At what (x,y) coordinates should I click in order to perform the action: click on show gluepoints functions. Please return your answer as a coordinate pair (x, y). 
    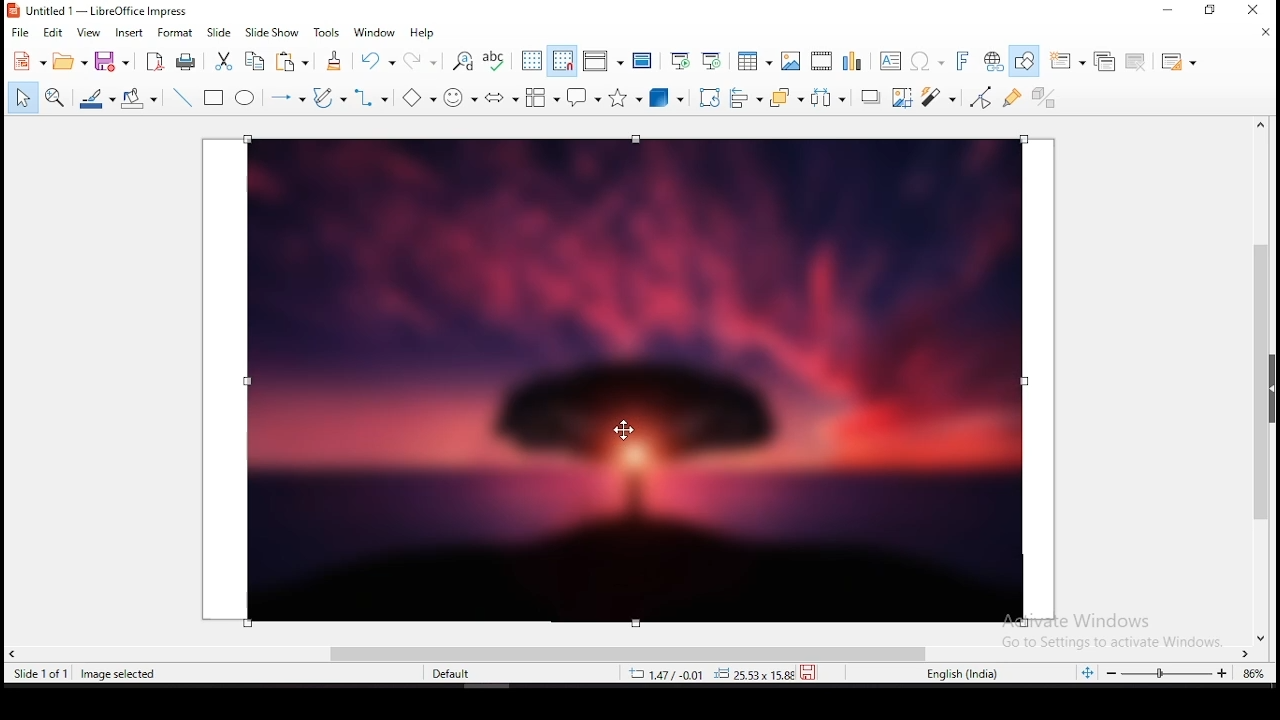
    Looking at the image, I should click on (1010, 98).